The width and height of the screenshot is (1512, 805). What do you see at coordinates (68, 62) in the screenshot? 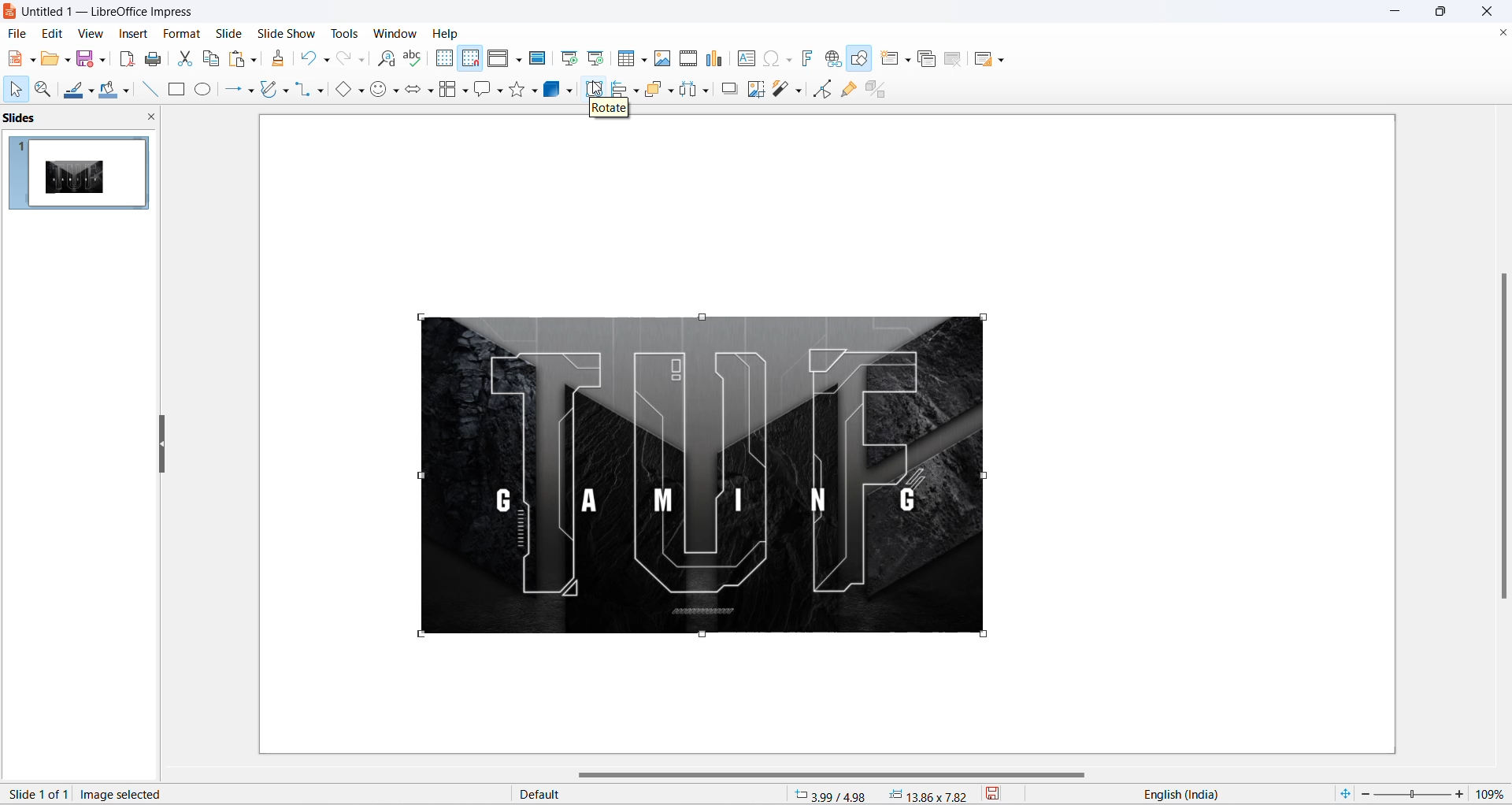
I see `open file options` at bounding box center [68, 62].